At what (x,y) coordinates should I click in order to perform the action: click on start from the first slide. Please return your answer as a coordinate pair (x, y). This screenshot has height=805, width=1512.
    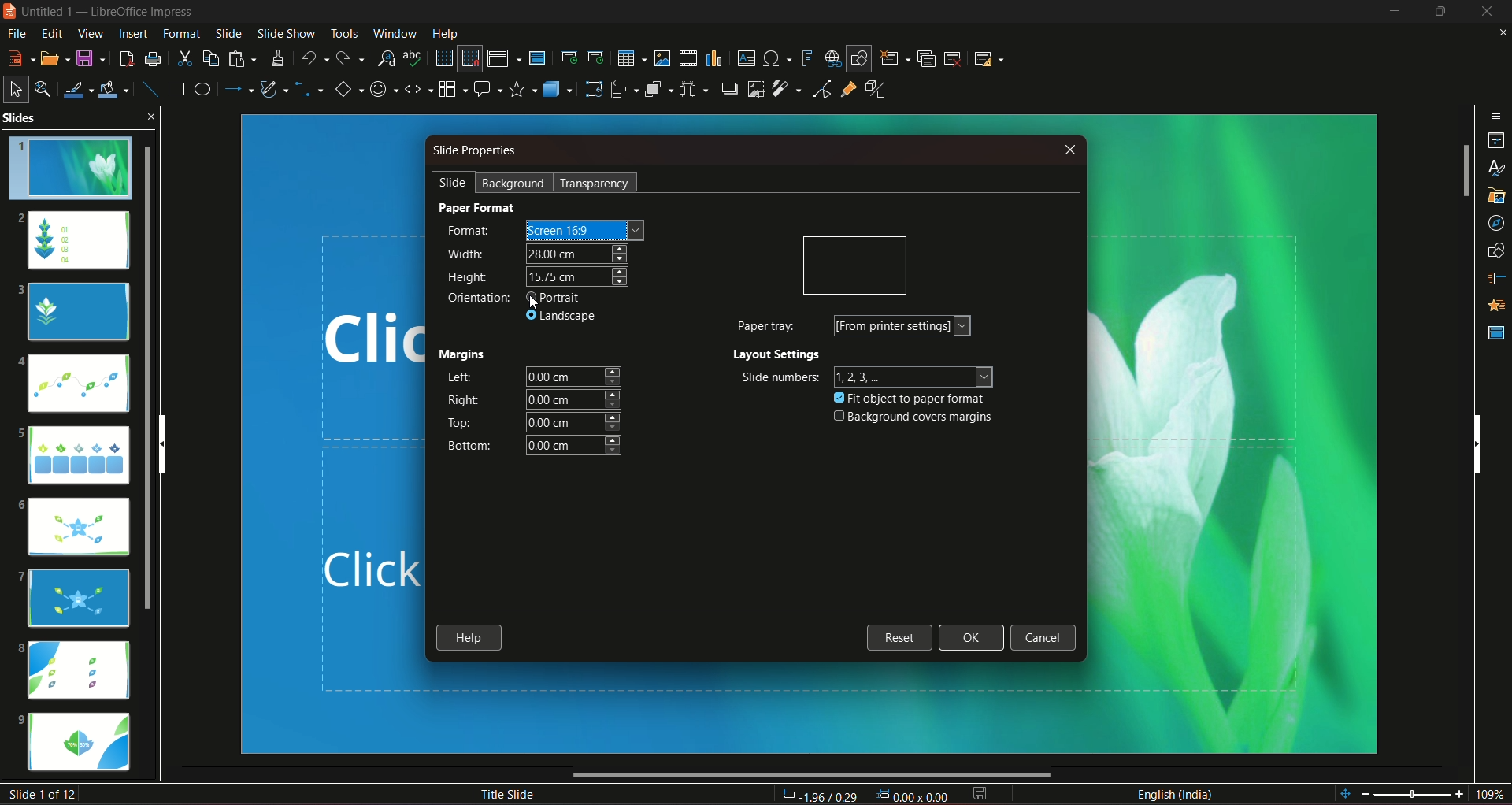
    Looking at the image, I should click on (569, 56).